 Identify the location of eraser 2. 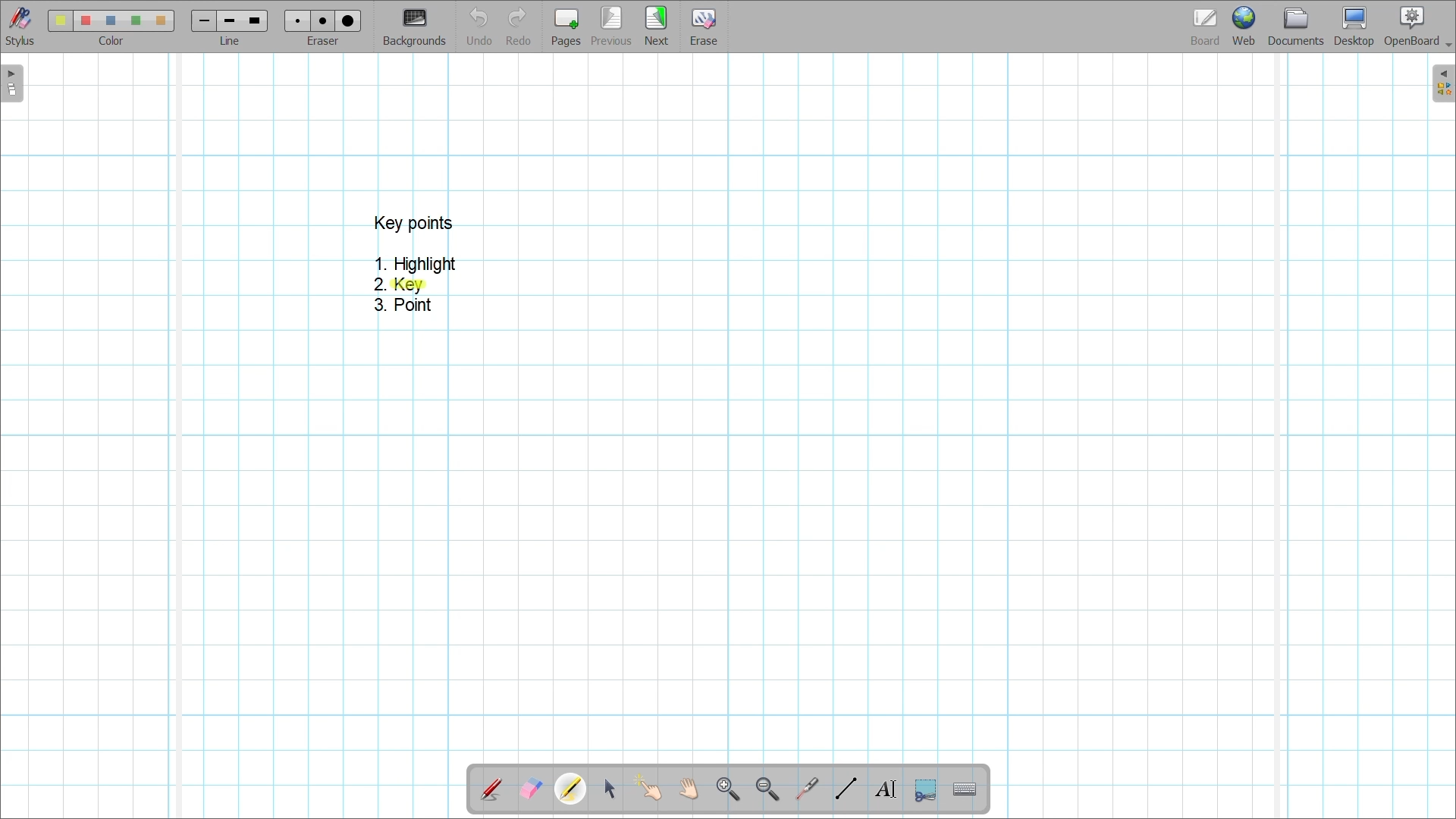
(322, 20).